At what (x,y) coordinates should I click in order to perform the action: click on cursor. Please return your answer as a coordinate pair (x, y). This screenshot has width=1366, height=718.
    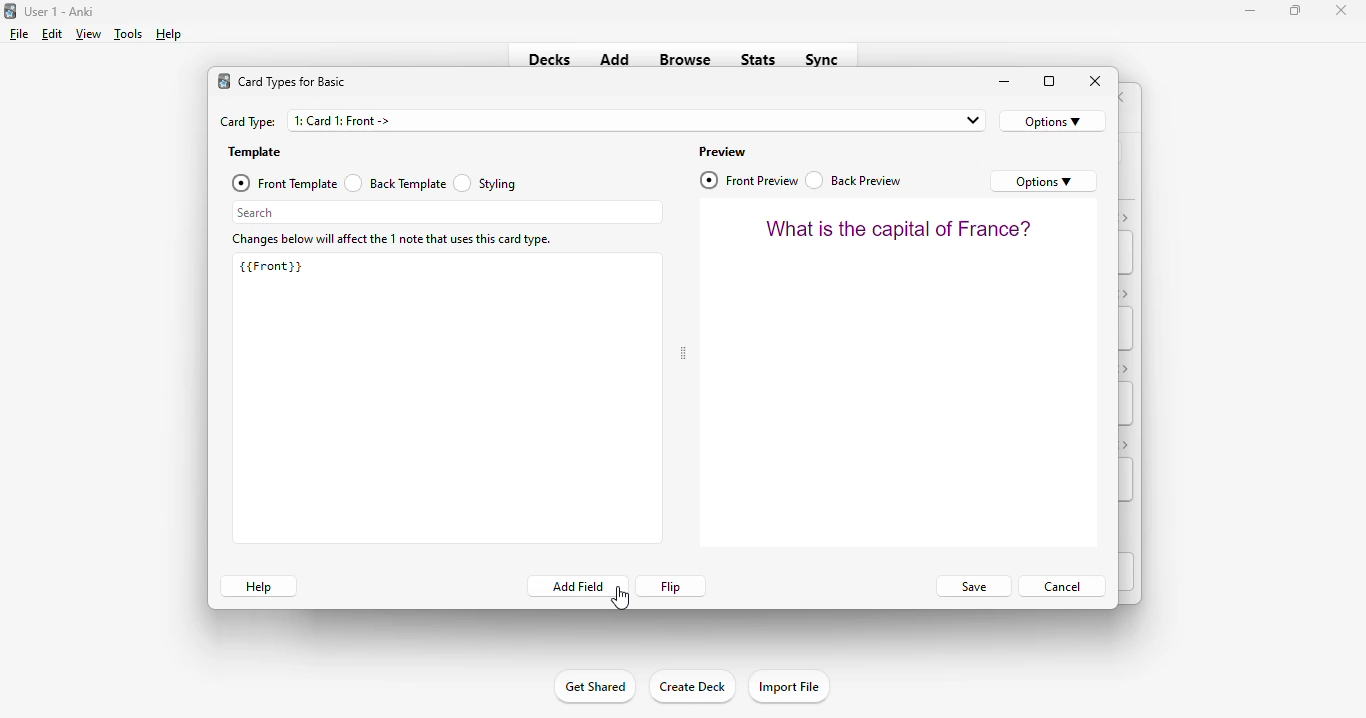
    Looking at the image, I should click on (620, 599).